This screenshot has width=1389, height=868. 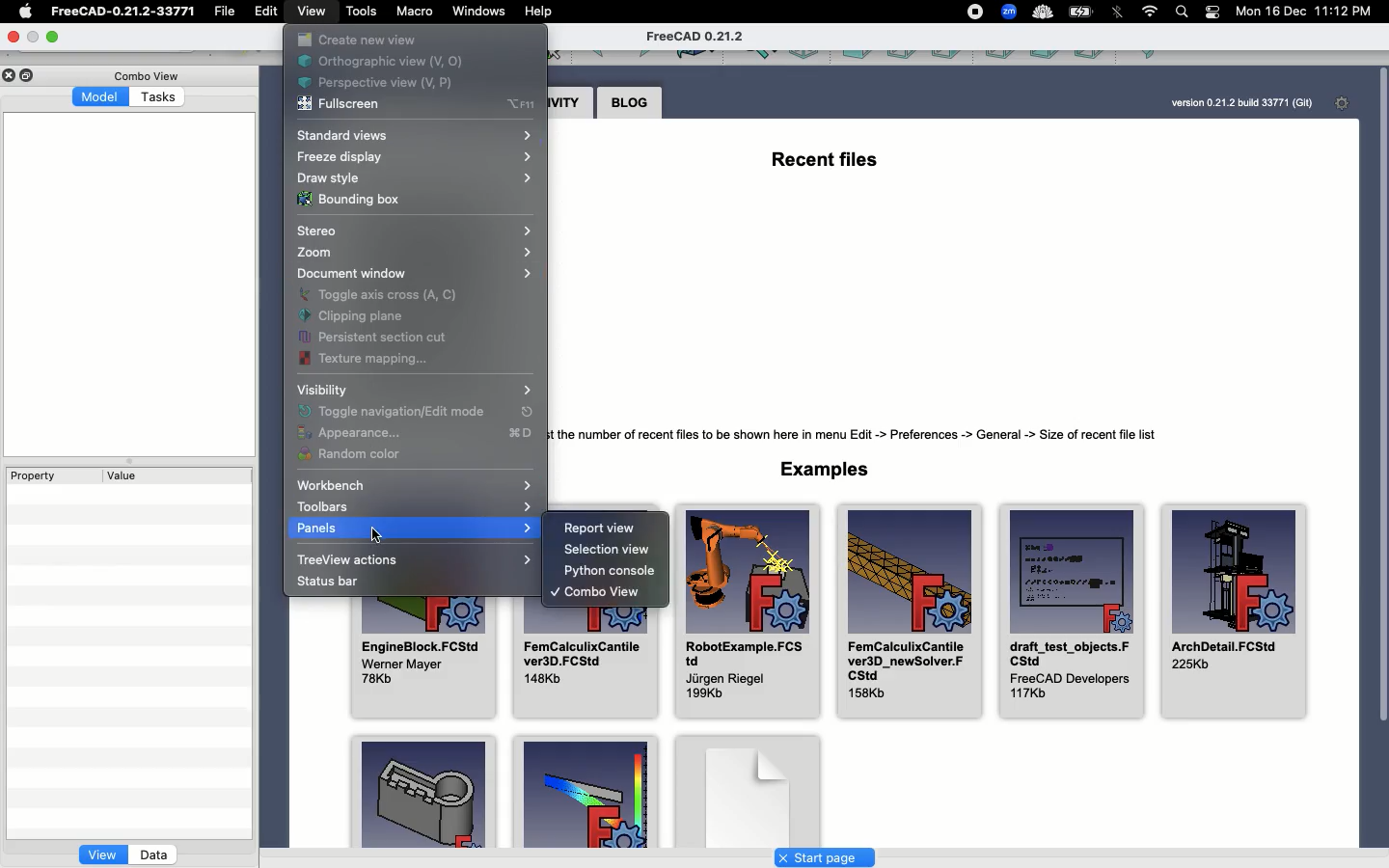 What do you see at coordinates (612, 552) in the screenshot?
I see `Selection view` at bounding box center [612, 552].